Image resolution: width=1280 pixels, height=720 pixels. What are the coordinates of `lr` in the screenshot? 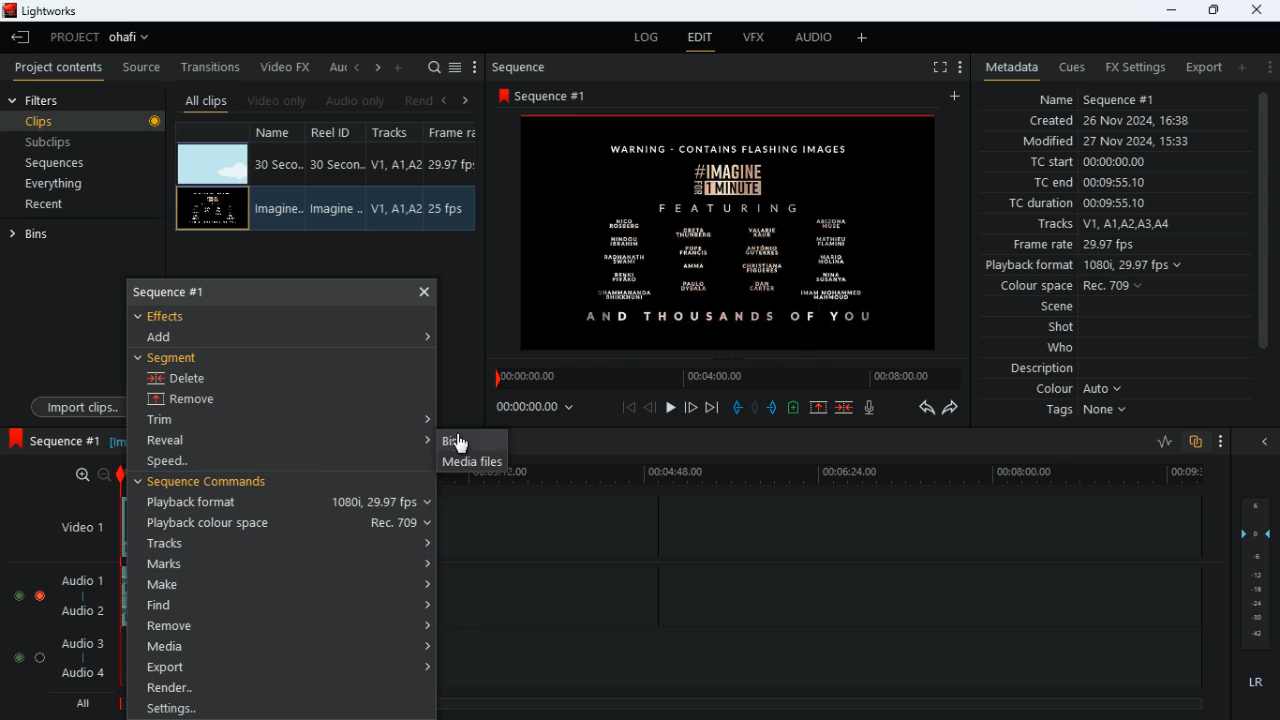 It's located at (1250, 683).